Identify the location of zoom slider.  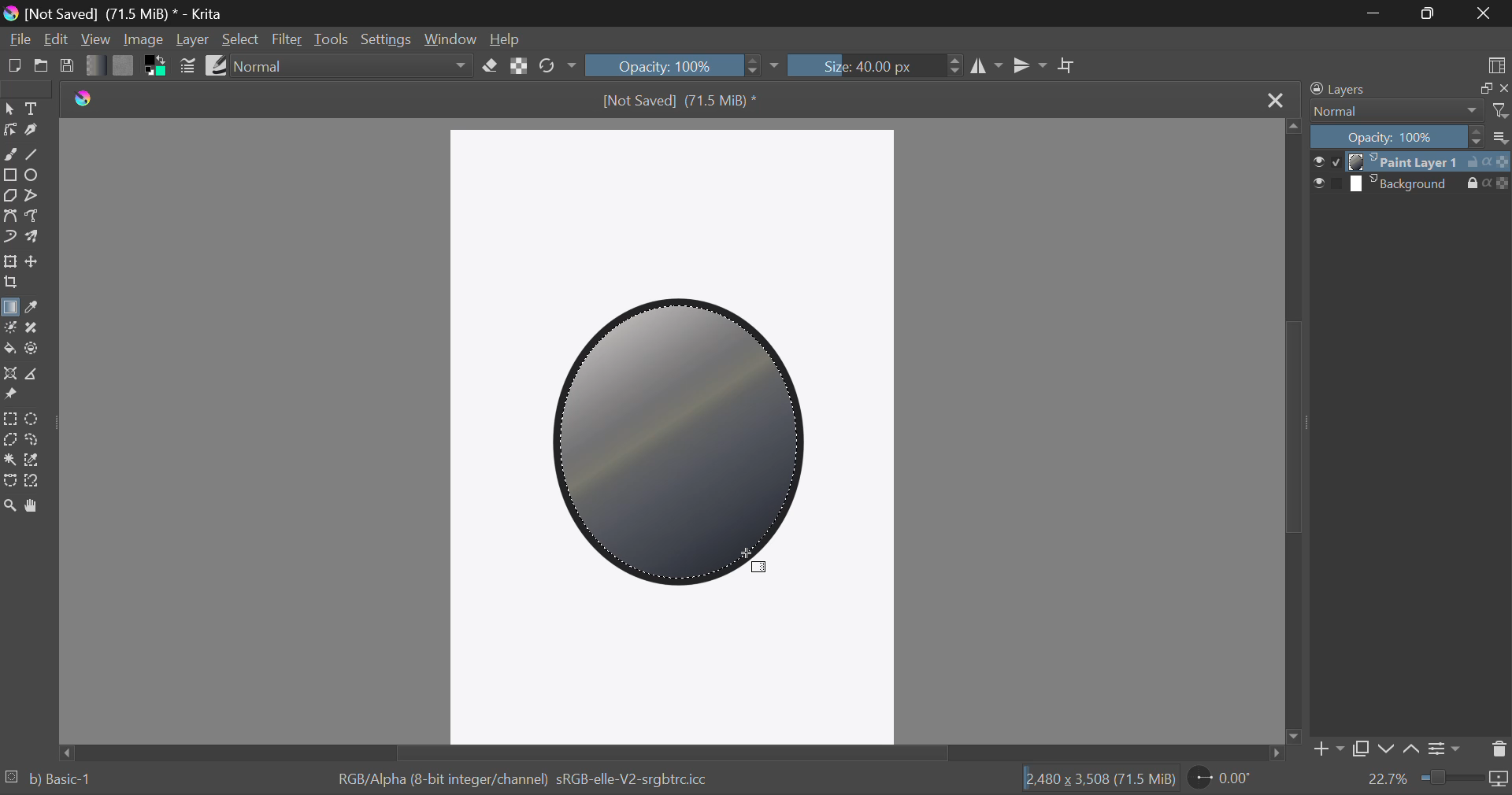
(1453, 776).